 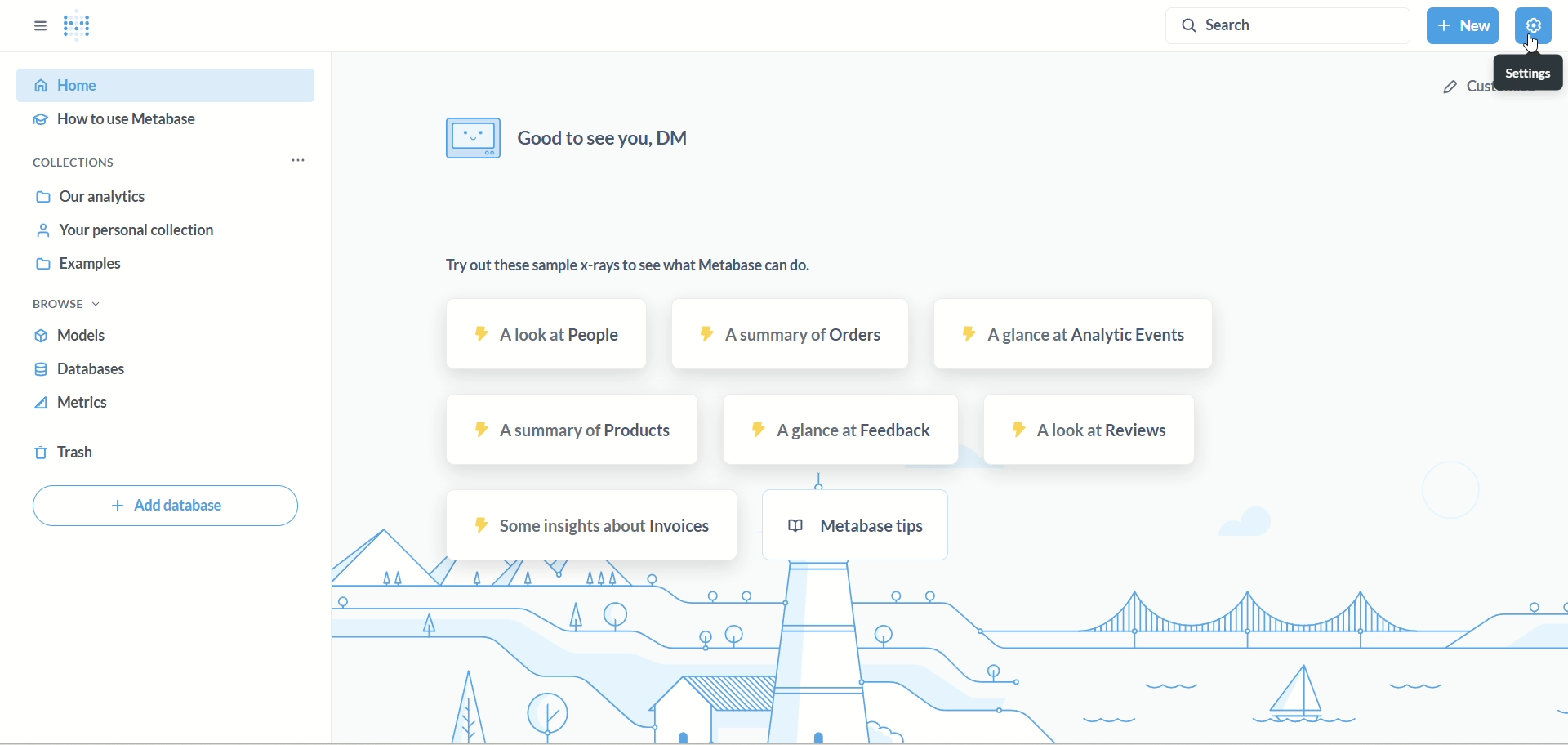 I want to click on Cursor, so click(x=1531, y=45).